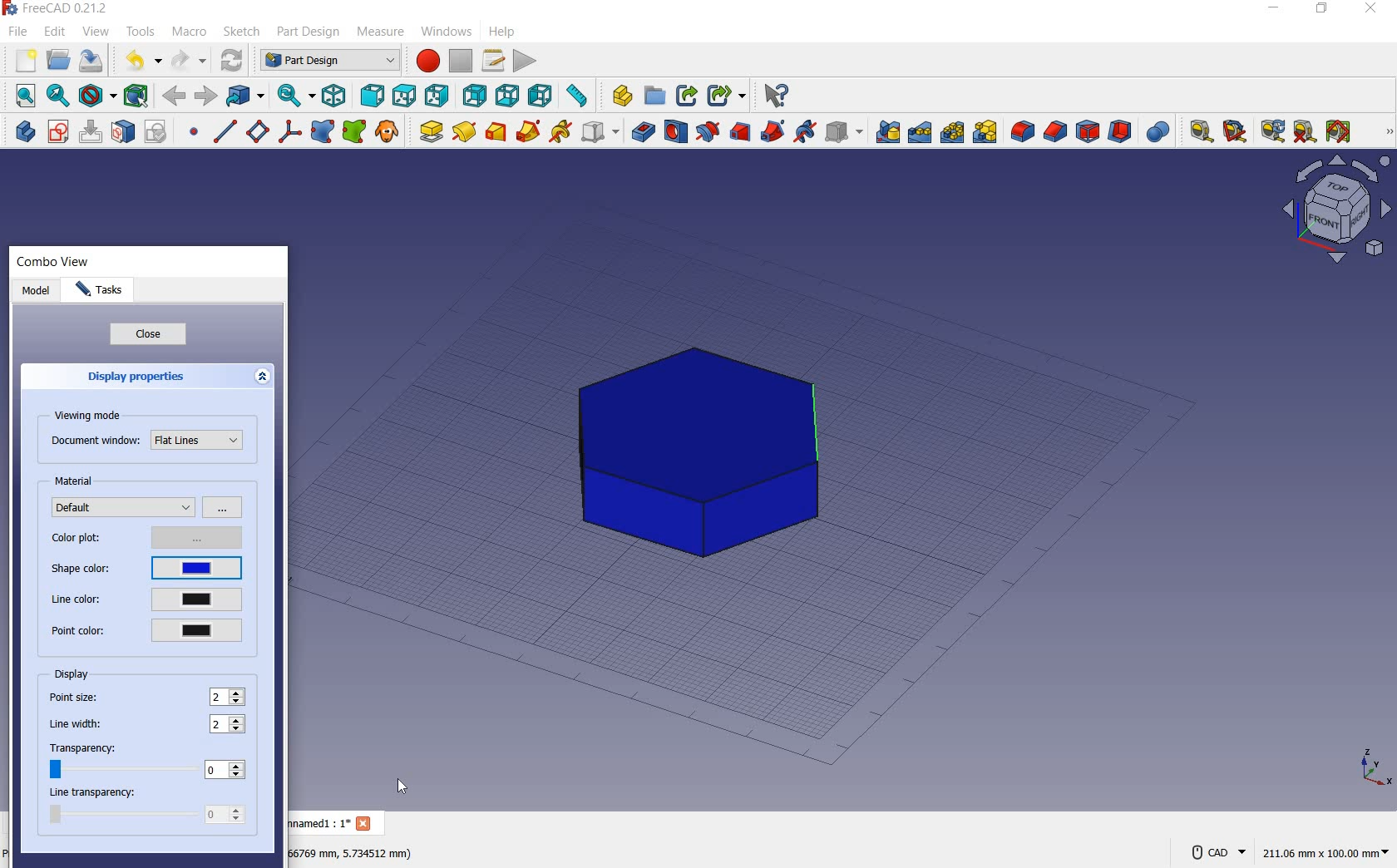  I want to click on display, so click(68, 674).